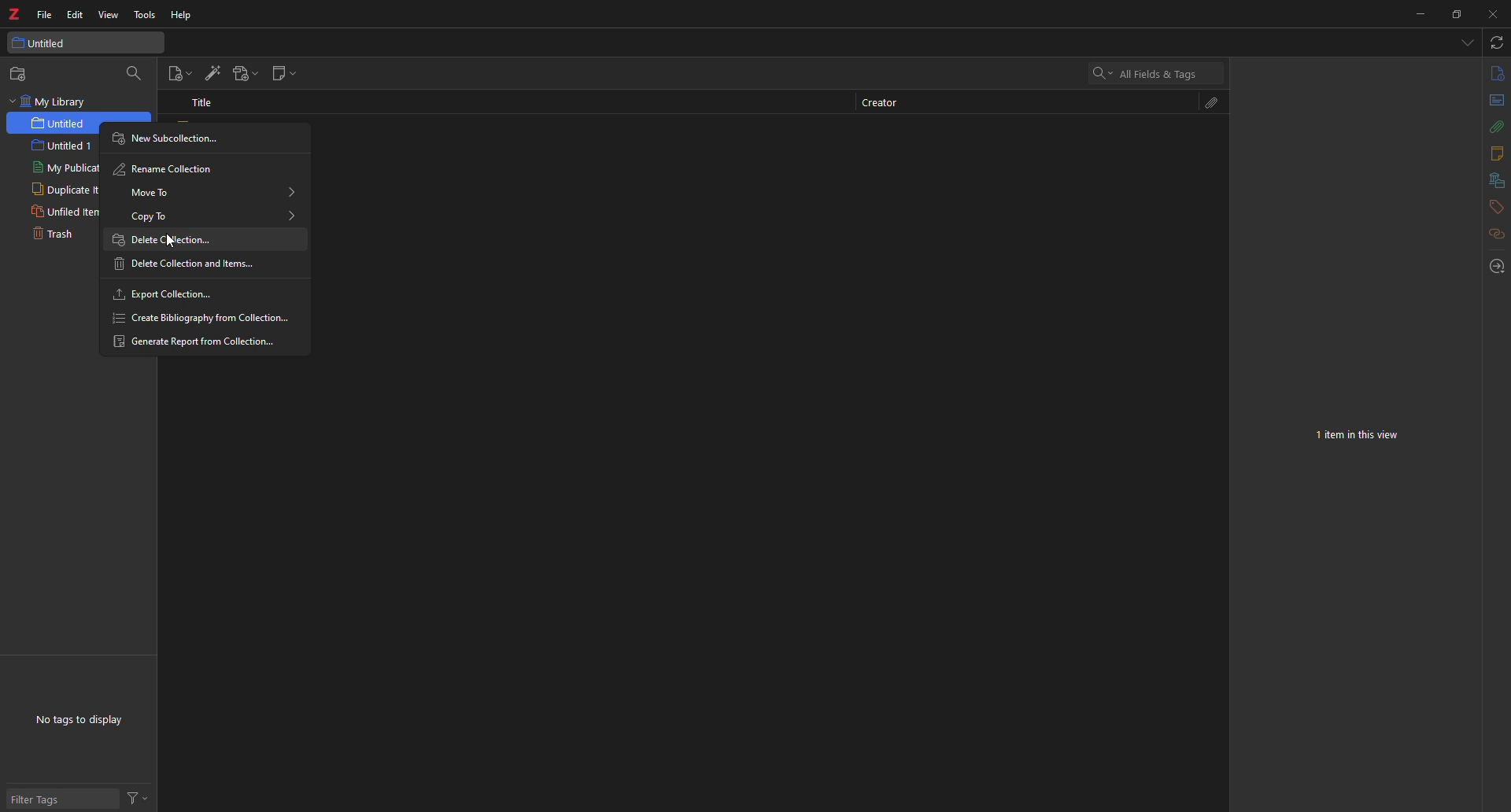 This screenshot has height=812, width=1511. Describe the element at coordinates (212, 192) in the screenshot. I see `move to` at that location.